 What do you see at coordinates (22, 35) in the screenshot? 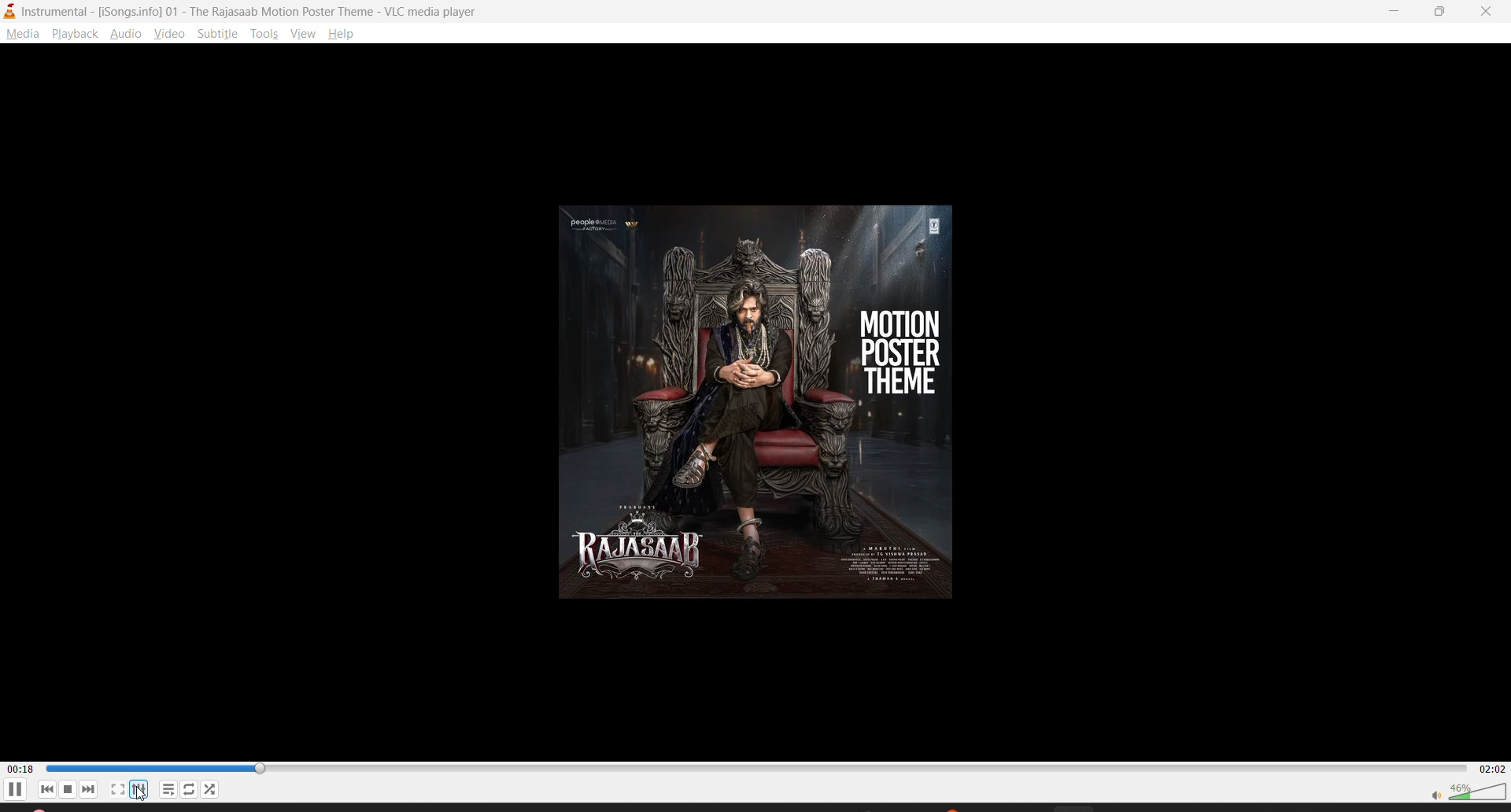
I see `media` at bounding box center [22, 35].